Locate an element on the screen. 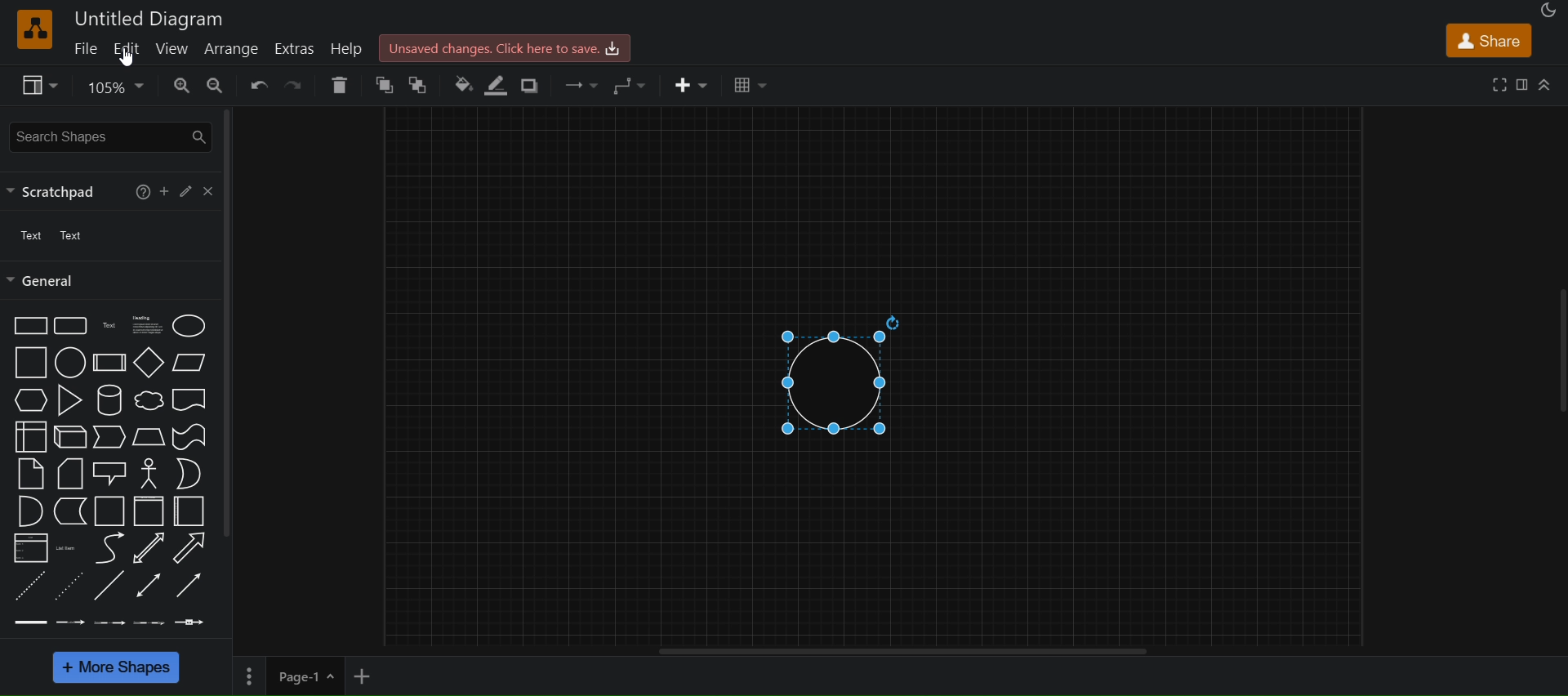 The height and width of the screenshot is (696, 1568). edit is located at coordinates (128, 51).